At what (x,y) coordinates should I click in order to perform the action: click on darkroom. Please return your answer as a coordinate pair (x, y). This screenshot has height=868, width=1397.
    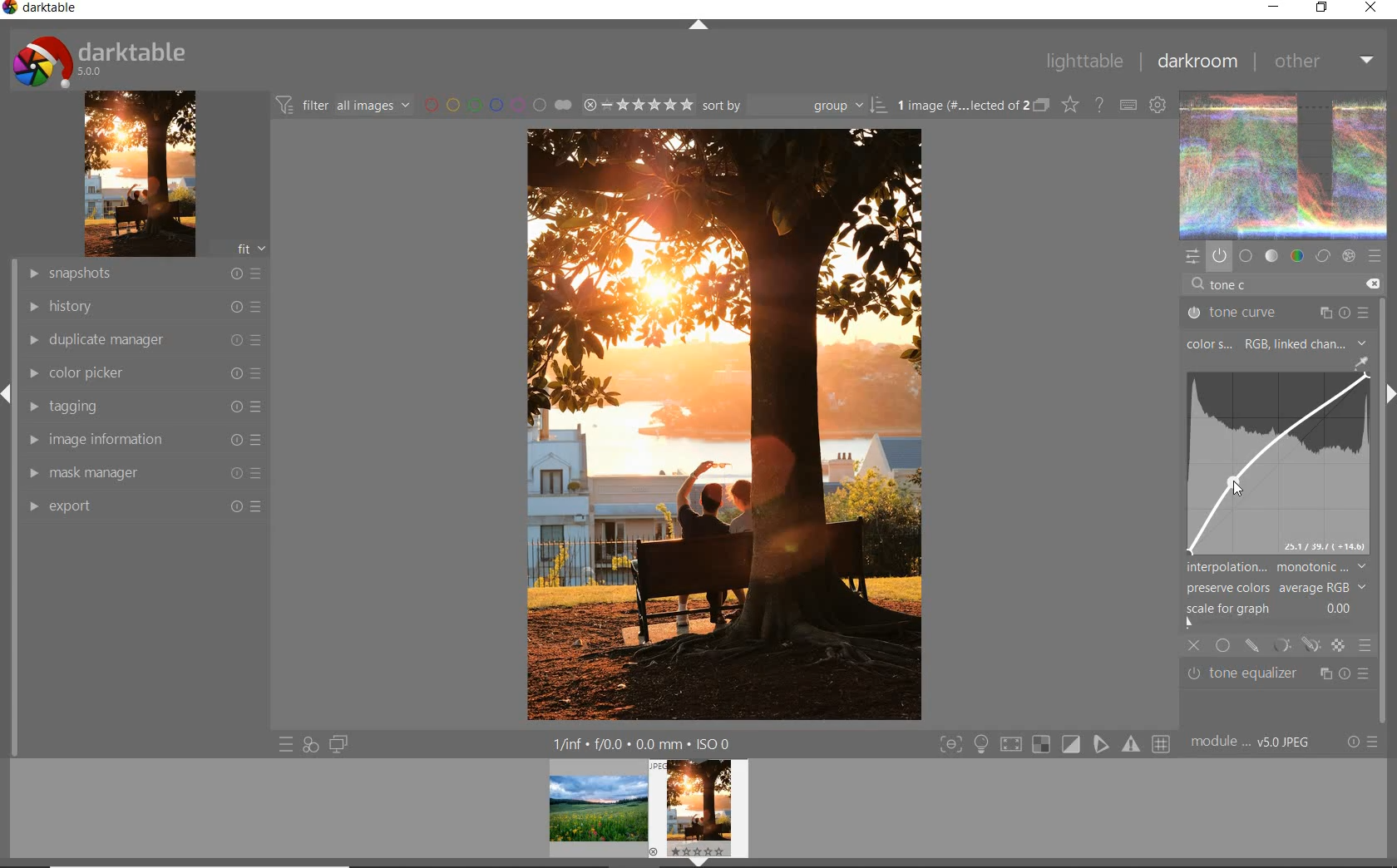
    Looking at the image, I should click on (1196, 62).